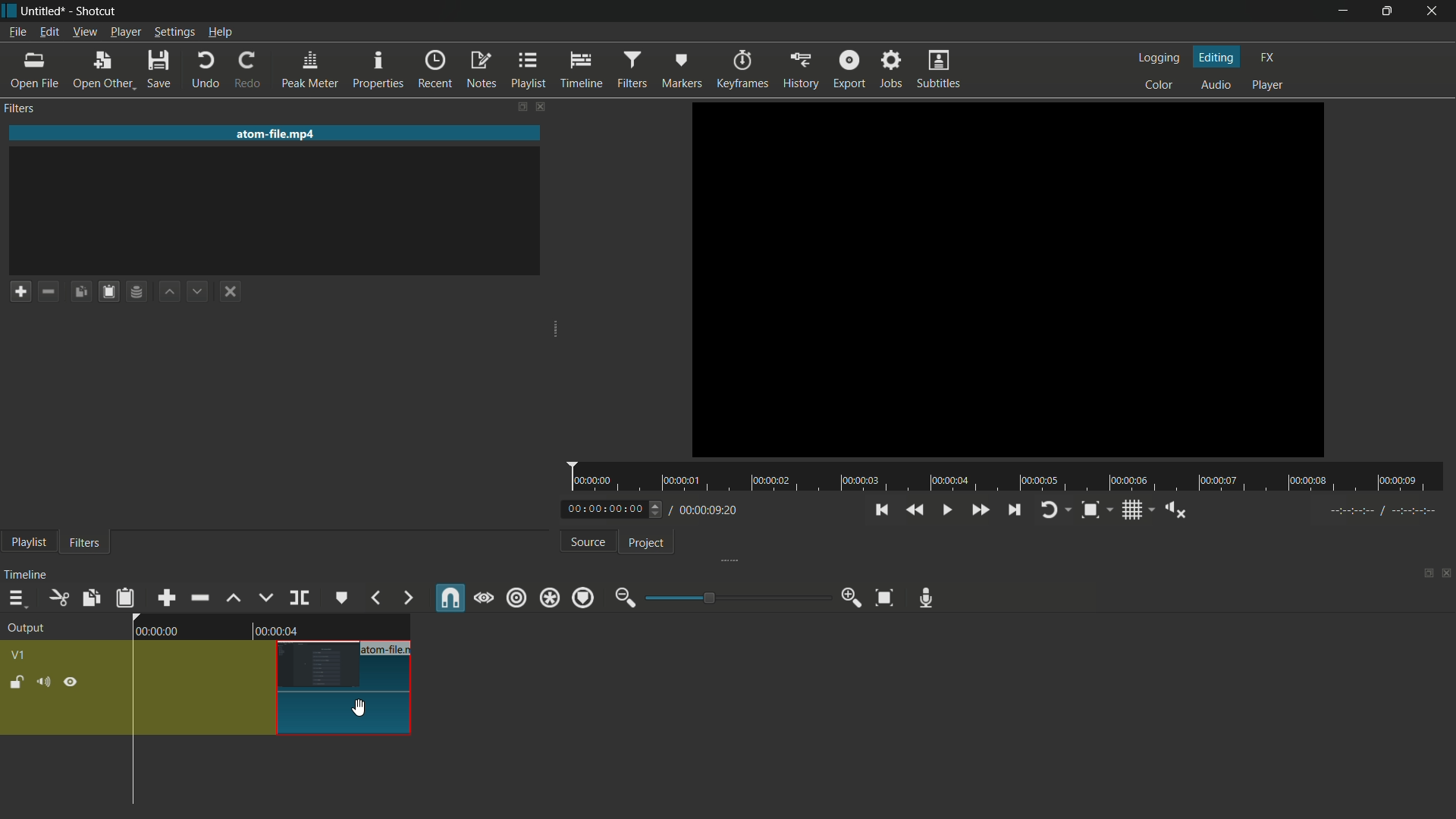 Image resolution: width=1456 pixels, height=819 pixels. Describe the element at coordinates (126, 32) in the screenshot. I see `player menu` at that location.